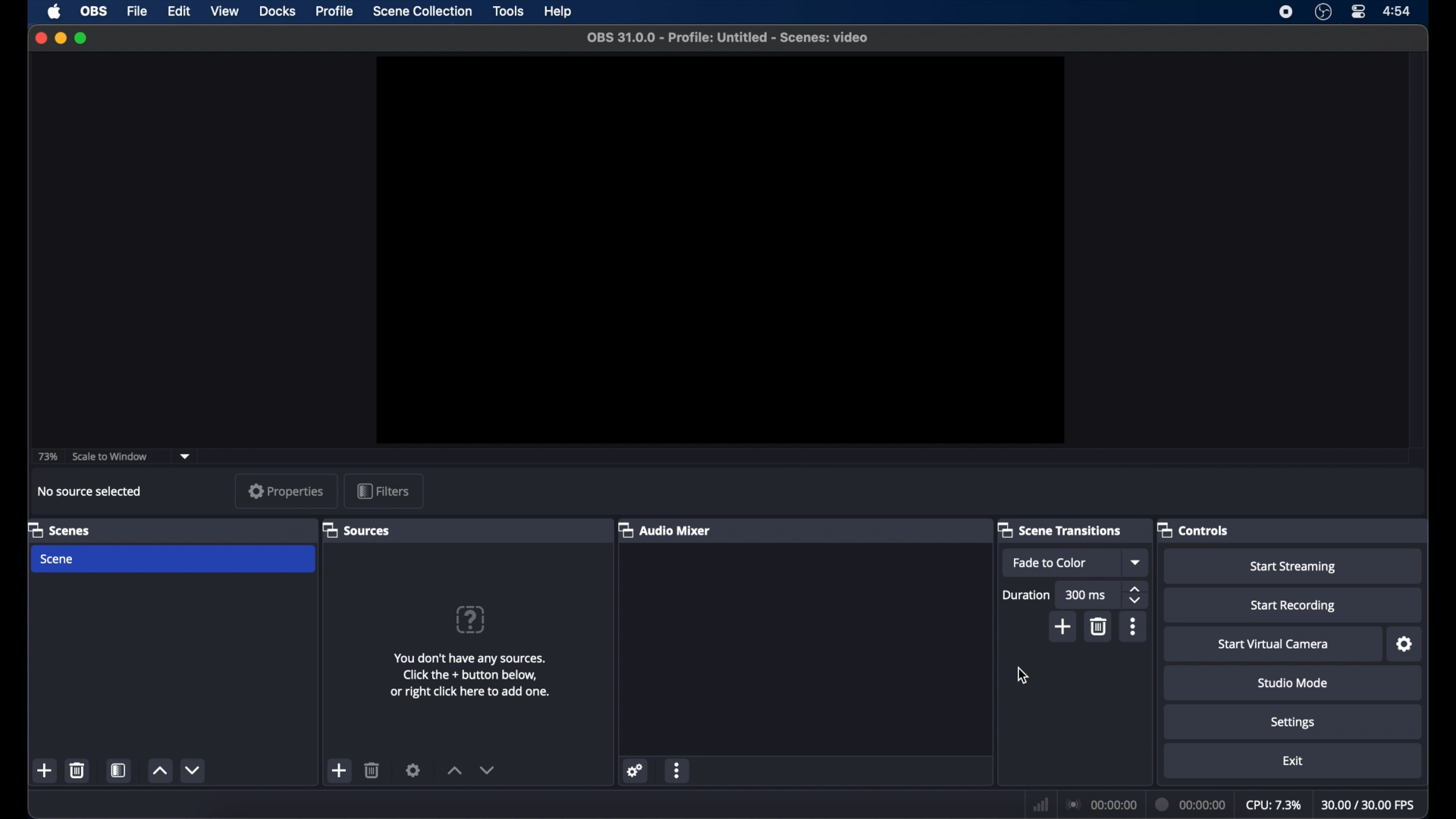 This screenshot has height=819, width=1456. What do you see at coordinates (55, 11) in the screenshot?
I see `apple icon` at bounding box center [55, 11].